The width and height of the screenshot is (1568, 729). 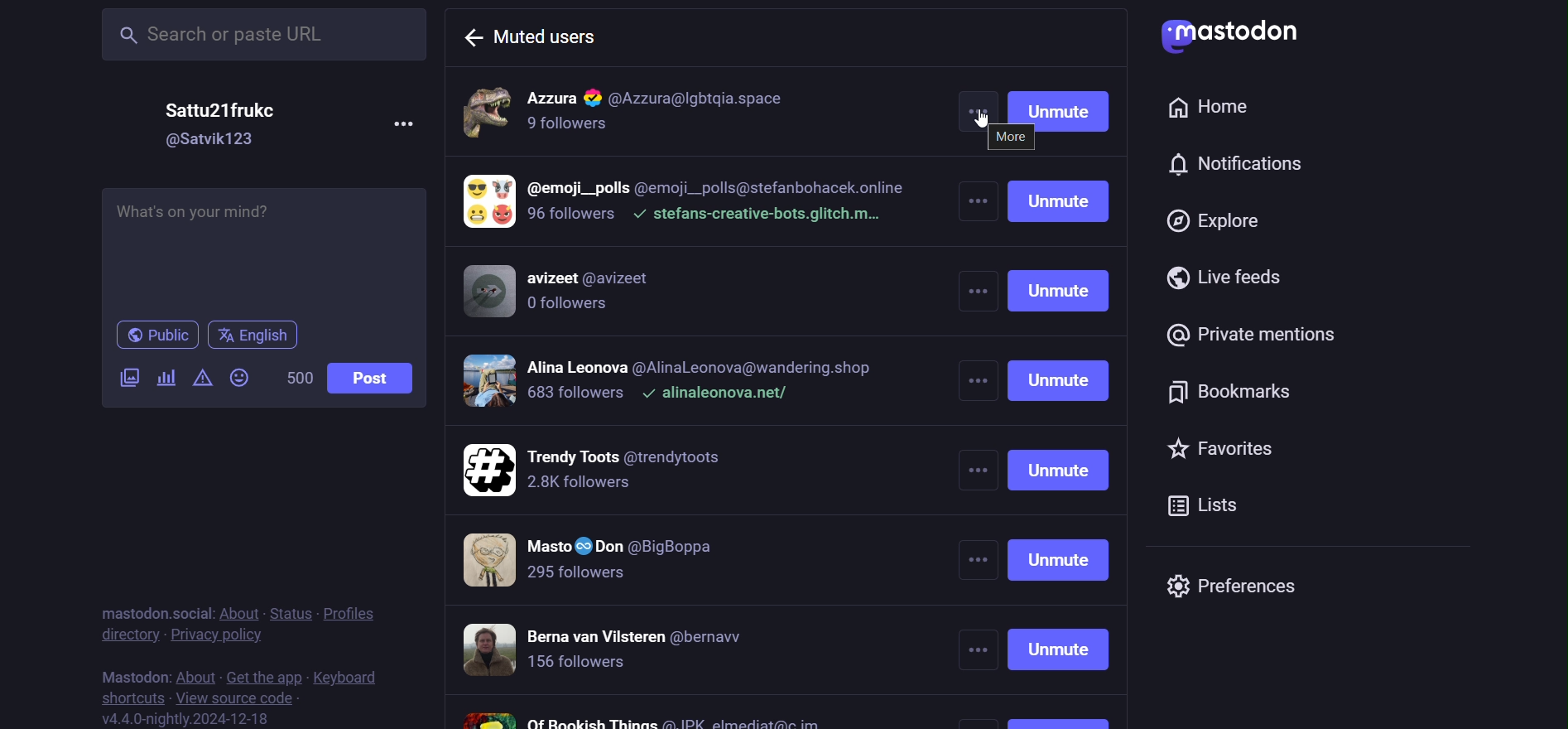 I want to click on mastodon social, so click(x=154, y=611).